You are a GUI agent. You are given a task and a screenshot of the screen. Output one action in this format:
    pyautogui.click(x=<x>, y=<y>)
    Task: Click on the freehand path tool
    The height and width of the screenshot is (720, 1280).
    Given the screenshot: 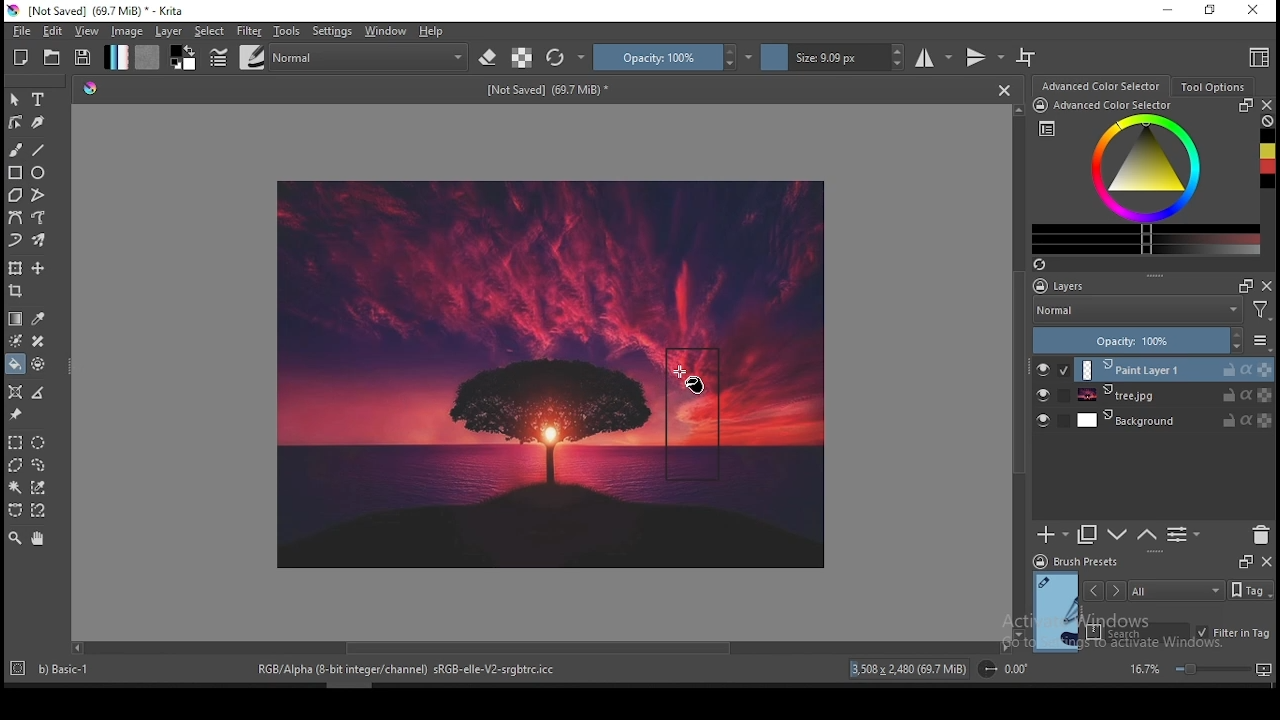 What is the action you would take?
    pyautogui.click(x=38, y=218)
    